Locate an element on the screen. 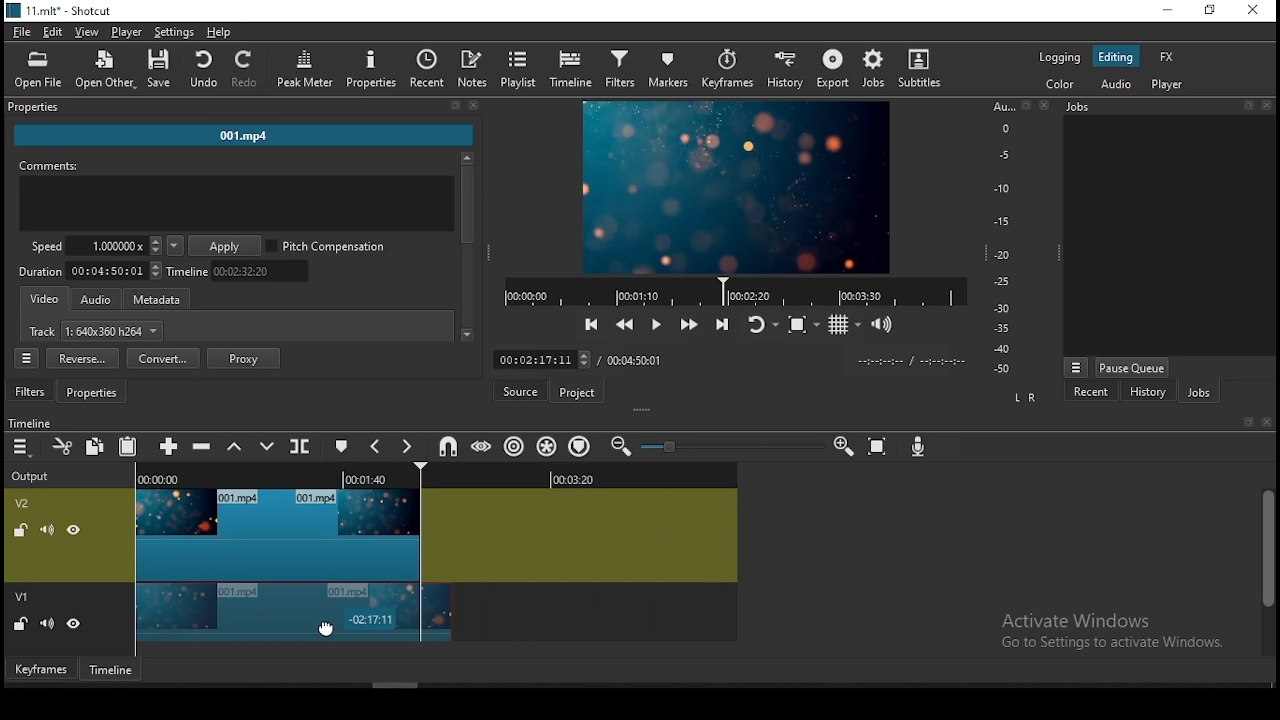 Image resolution: width=1280 pixels, height=720 pixels. play quickly forwards is located at coordinates (691, 325).